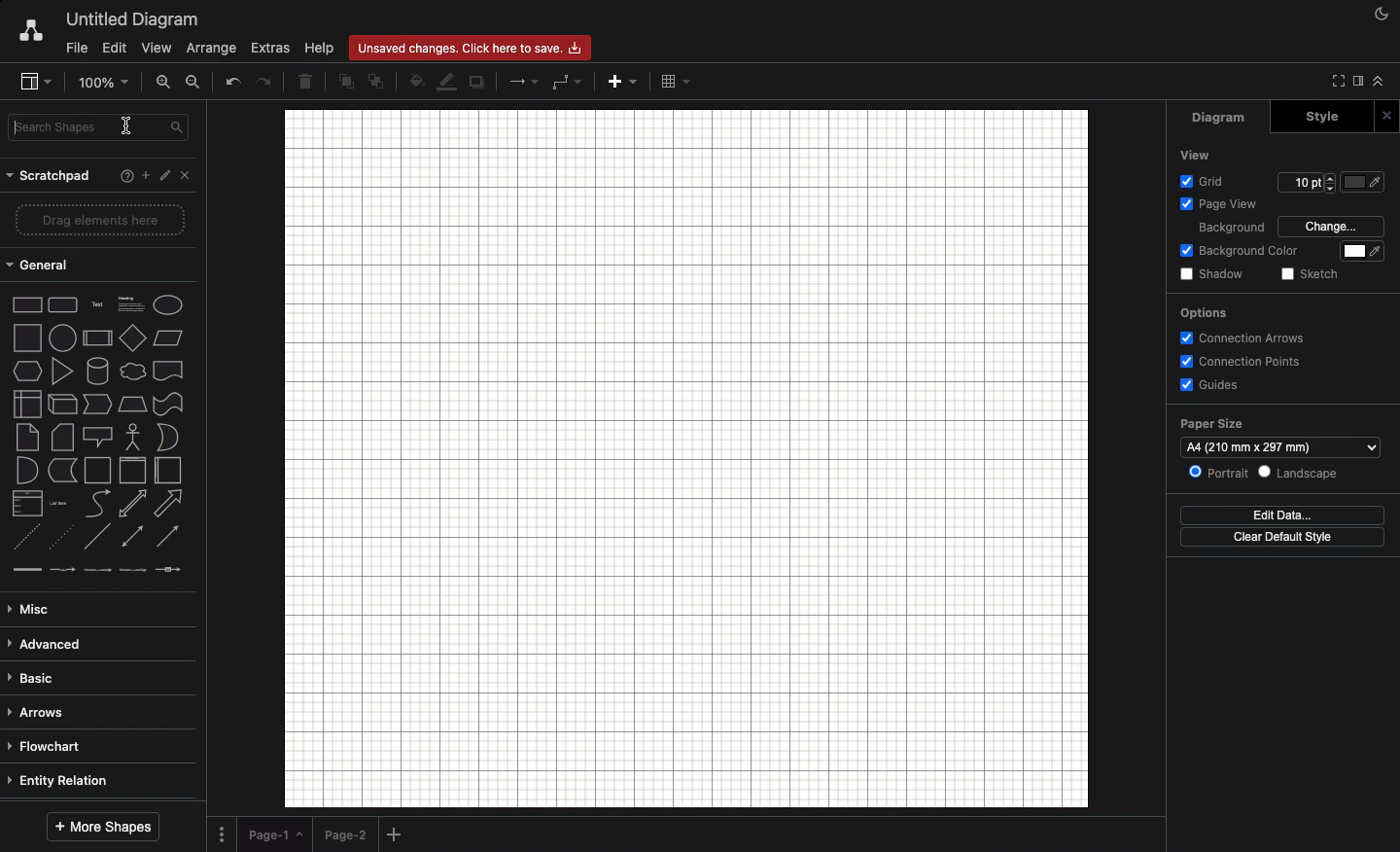 This screenshot has width=1400, height=852. What do you see at coordinates (305, 81) in the screenshot?
I see `Delete` at bounding box center [305, 81].